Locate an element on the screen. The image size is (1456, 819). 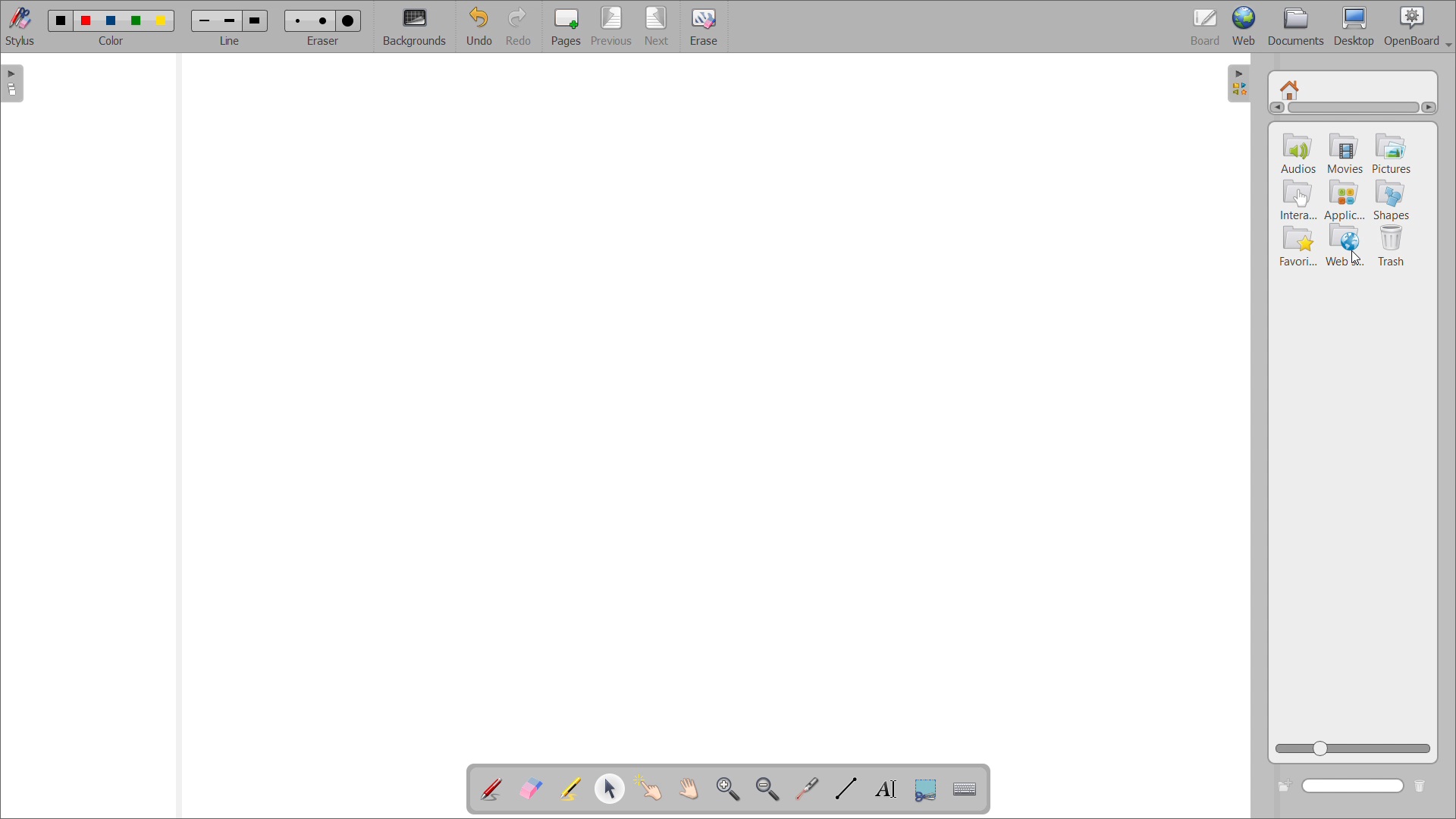
write text is located at coordinates (886, 789).